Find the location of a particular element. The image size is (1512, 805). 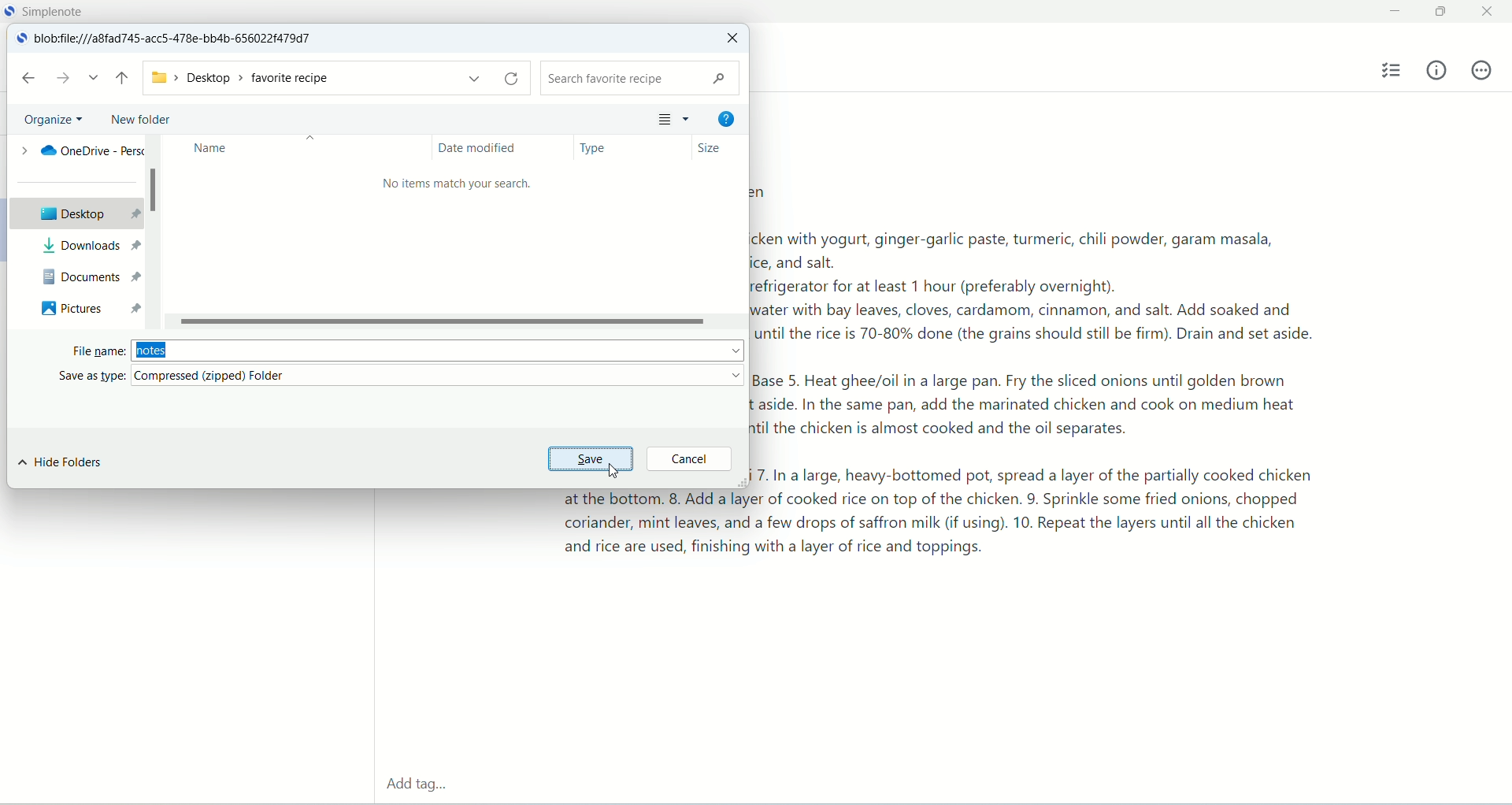

pictures is located at coordinates (87, 307).